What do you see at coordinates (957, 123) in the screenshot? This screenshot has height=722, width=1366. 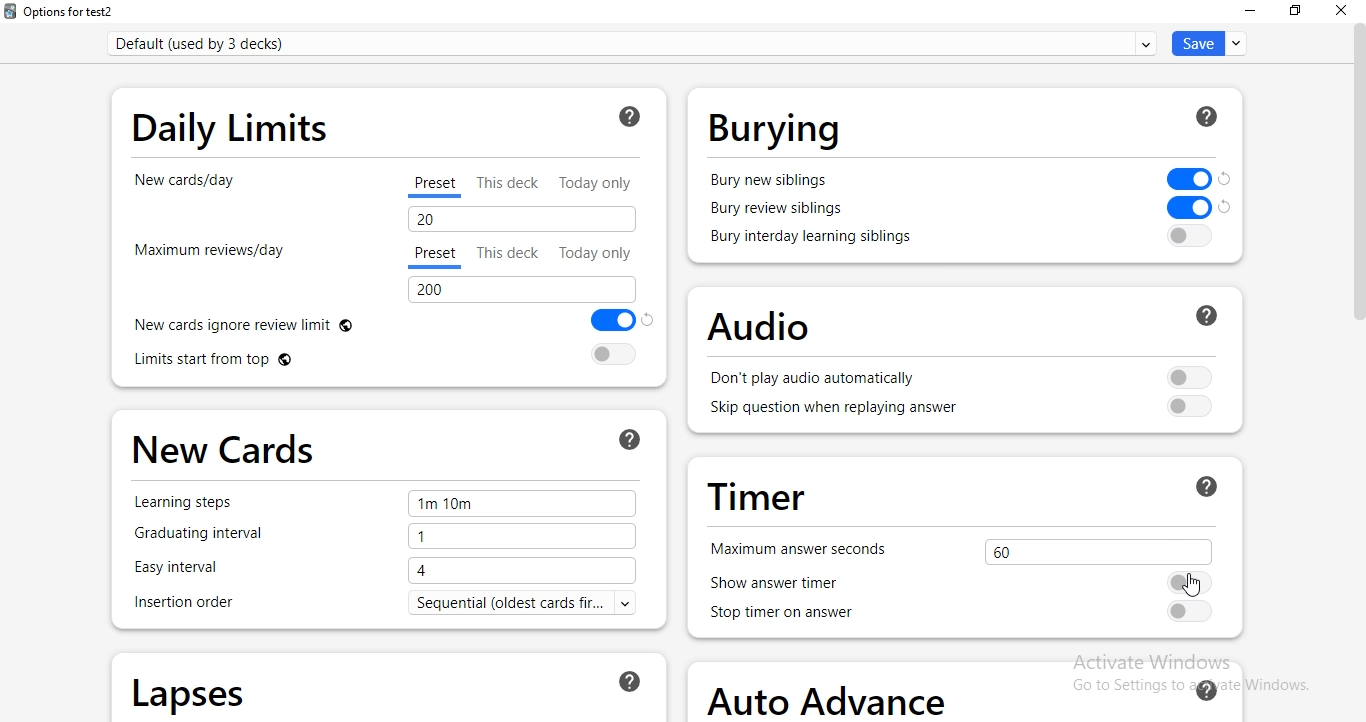 I see `burying` at bounding box center [957, 123].